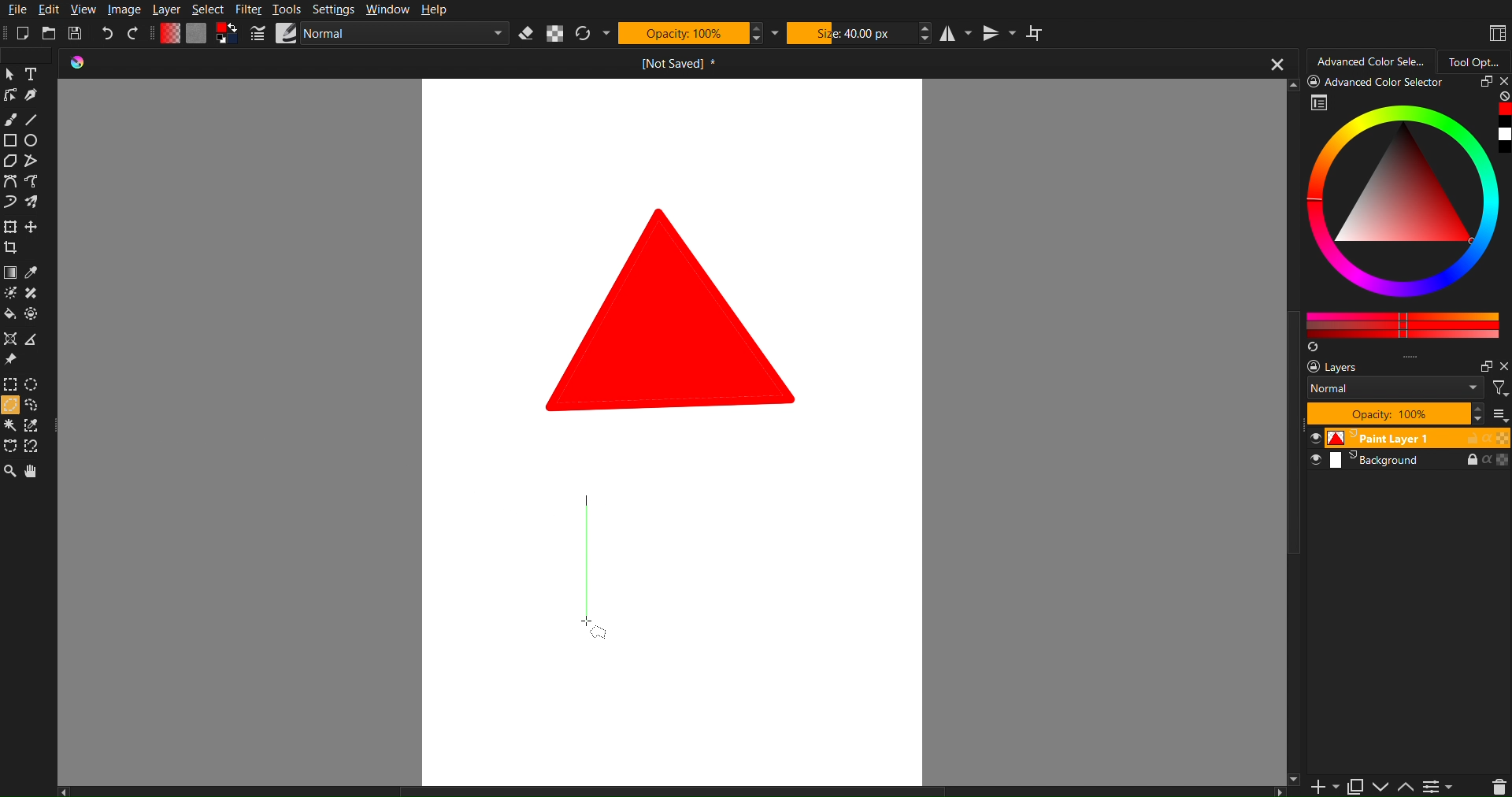 Image resolution: width=1512 pixels, height=797 pixels. What do you see at coordinates (11, 472) in the screenshot?
I see `Zoom` at bounding box center [11, 472].